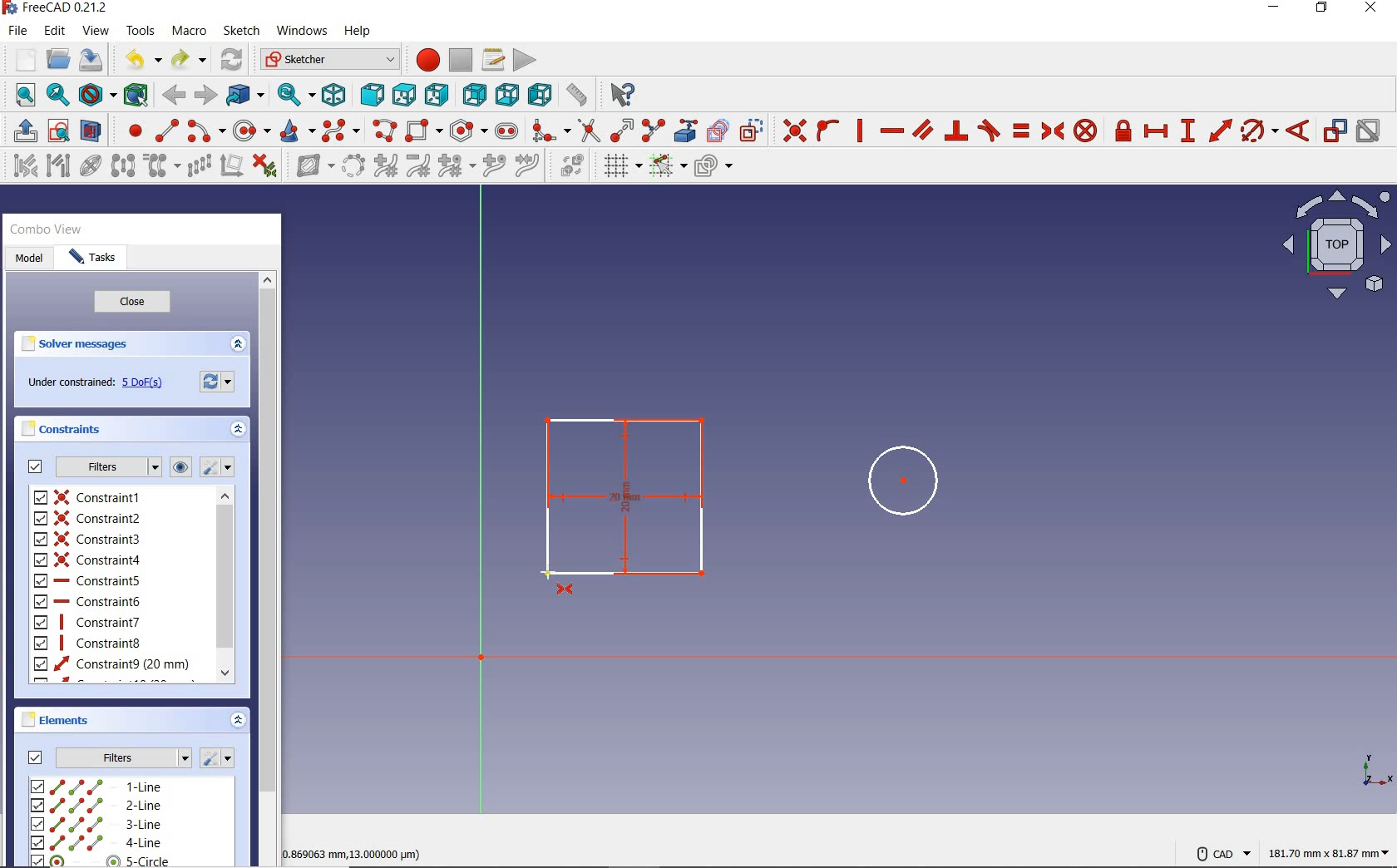 This screenshot has height=868, width=1397. What do you see at coordinates (131, 129) in the screenshot?
I see `create point` at bounding box center [131, 129].